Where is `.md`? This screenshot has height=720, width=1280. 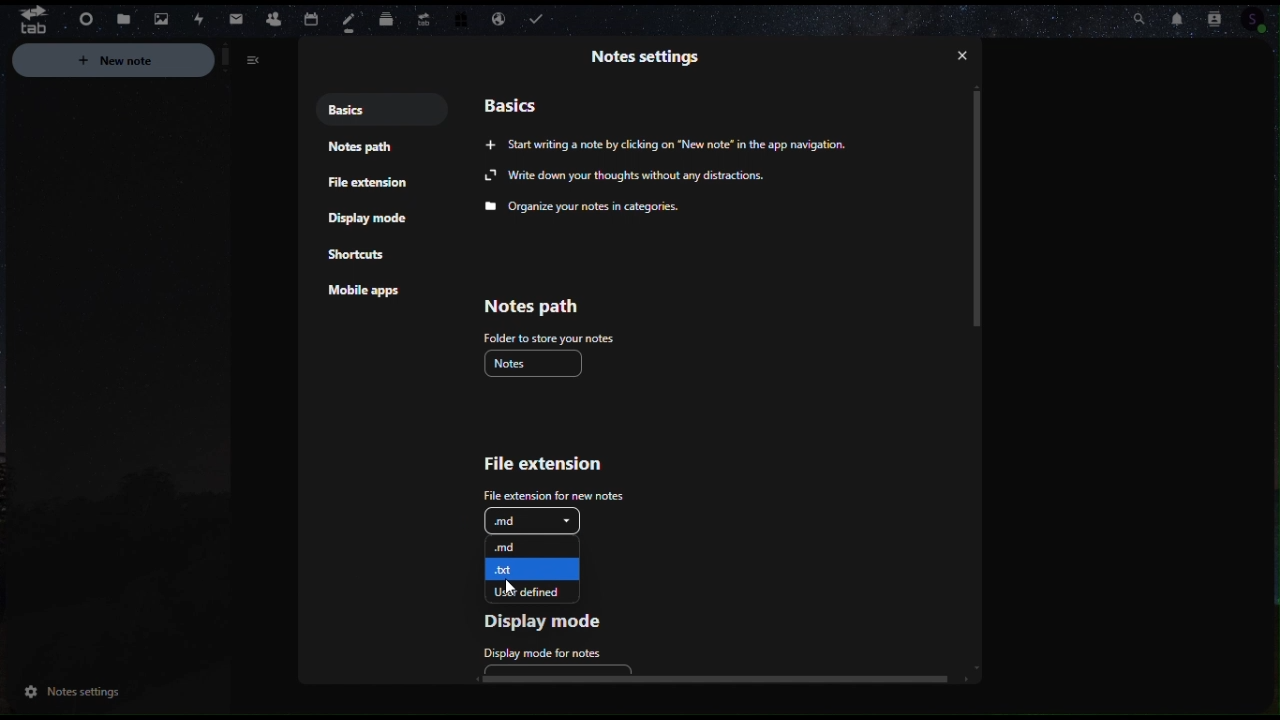 .md is located at coordinates (530, 521).